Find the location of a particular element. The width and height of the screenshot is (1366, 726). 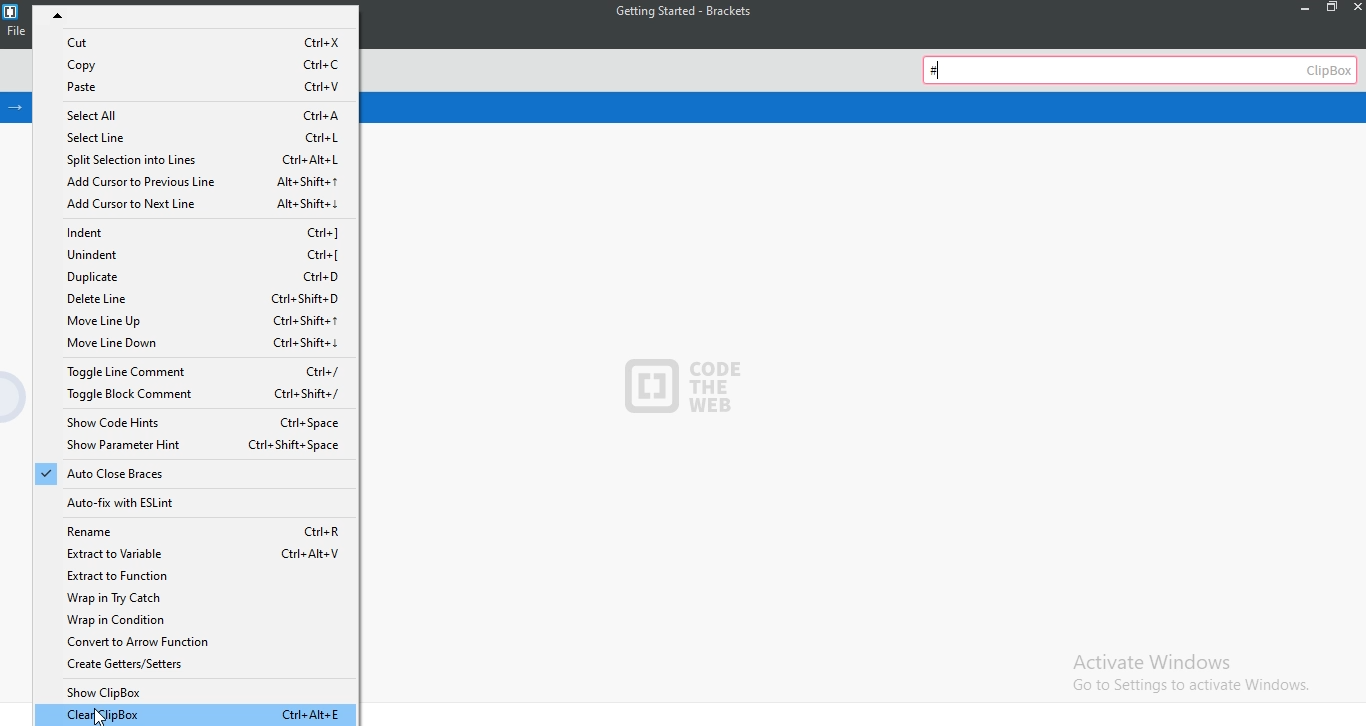

cursor  is located at coordinates (94, 715).